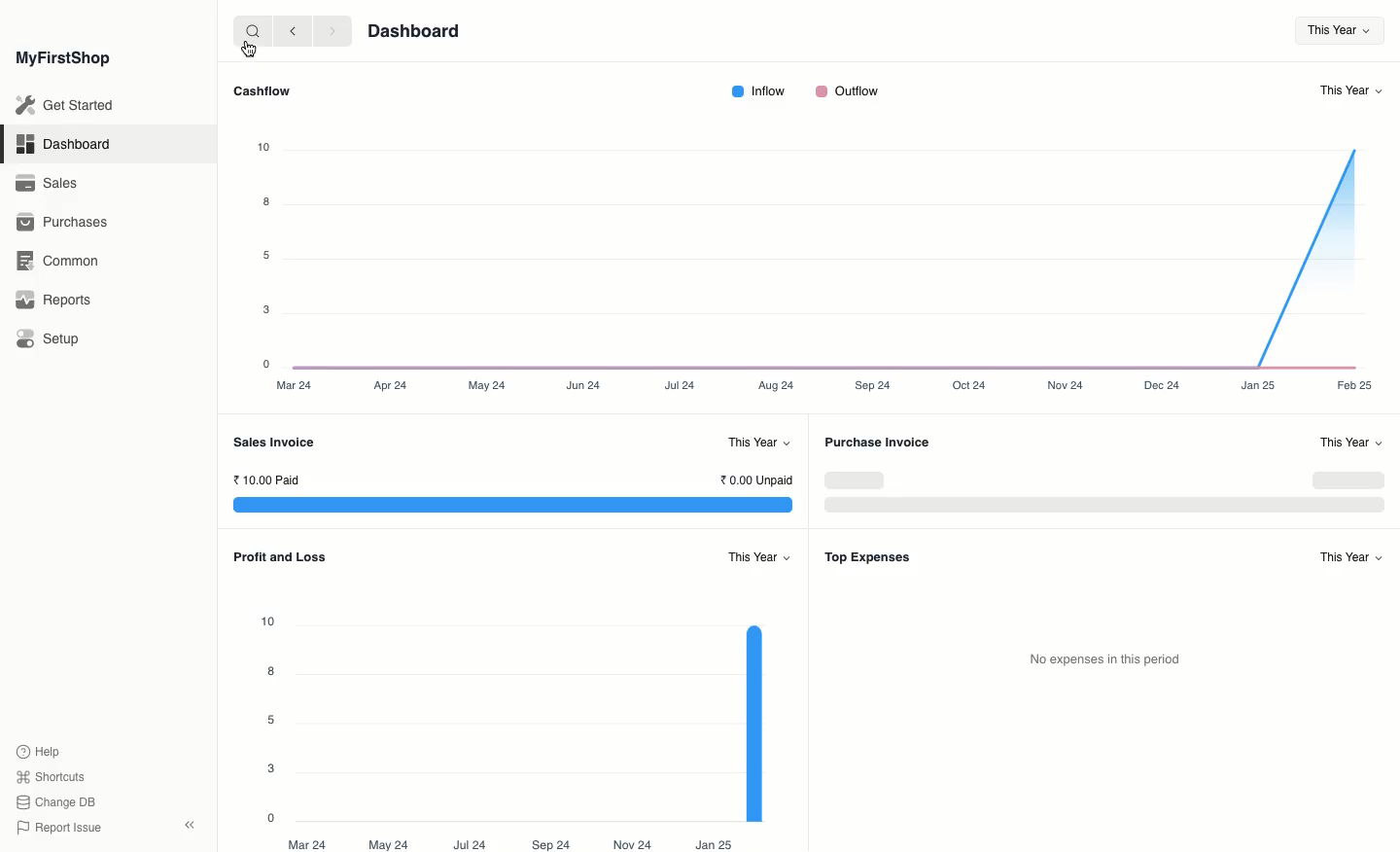 The height and width of the screenshot is (852, 1400). Describe the element at coordinates (267, 621) in the screenshot. I see `10` at that location.